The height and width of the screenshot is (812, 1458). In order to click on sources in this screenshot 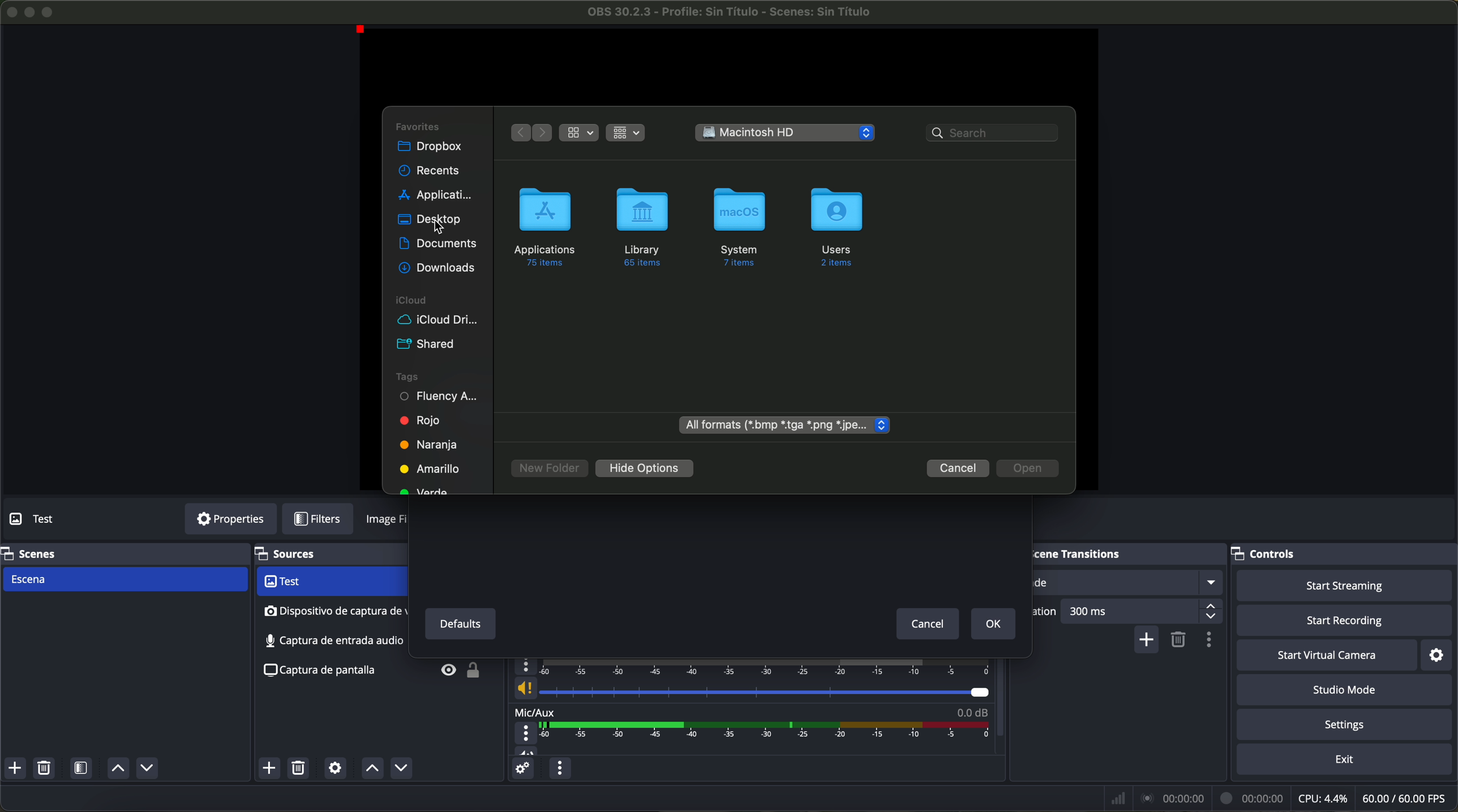, I will do `click(300, 555)`.